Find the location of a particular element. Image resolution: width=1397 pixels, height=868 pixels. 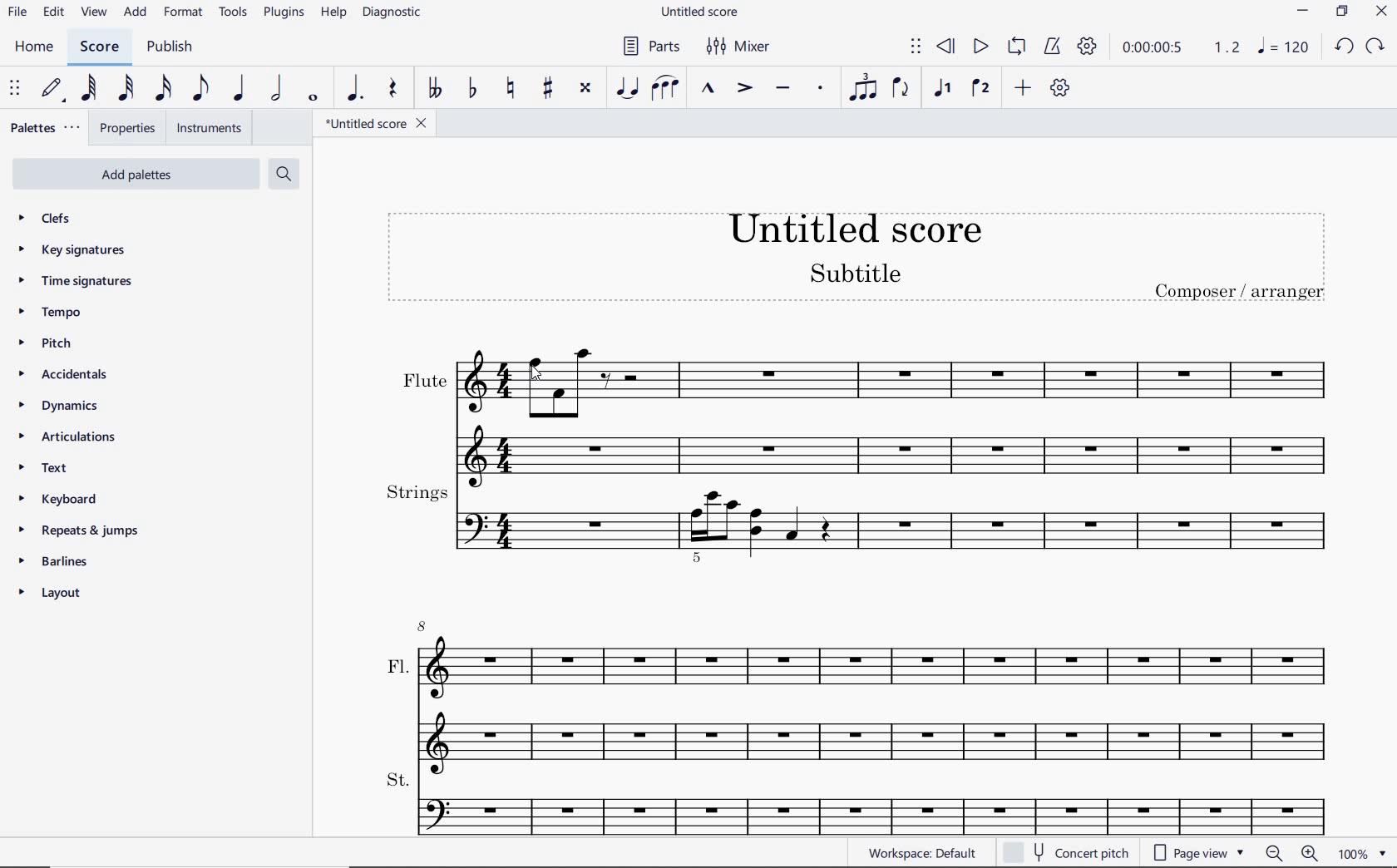

view is located at coordinates (91, 13).